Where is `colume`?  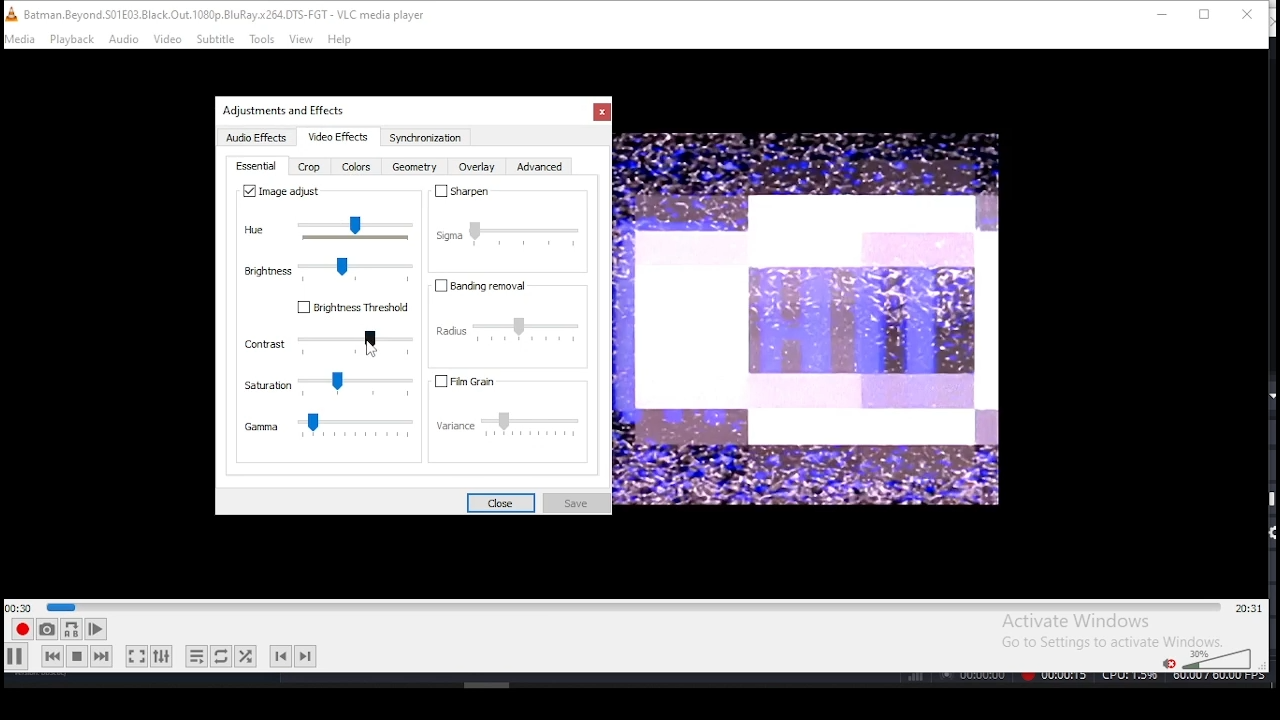 colume is located at coordinates (1216, 658).